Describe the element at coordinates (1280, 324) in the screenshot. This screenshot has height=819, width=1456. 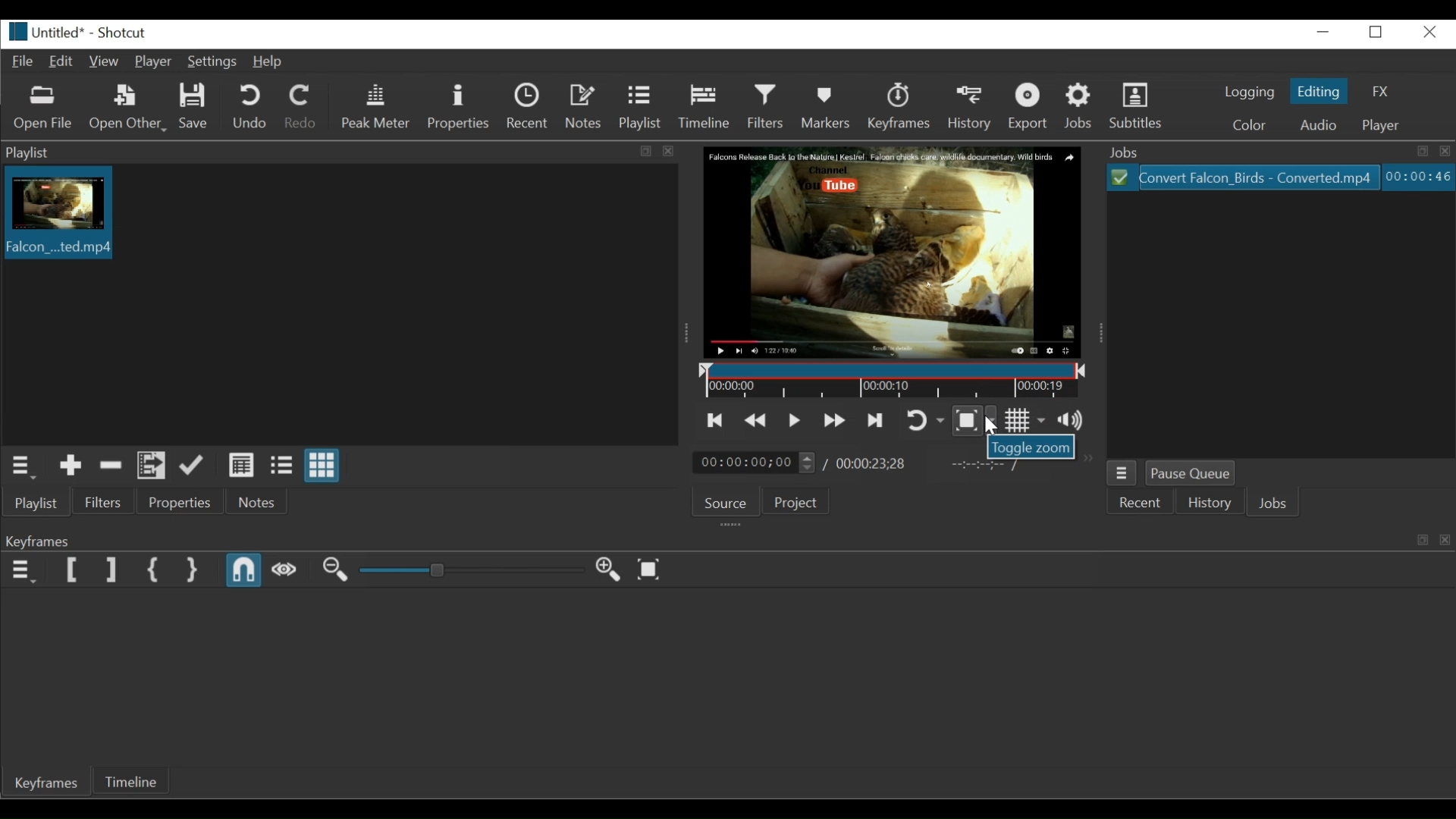
I see `File Viewer` at that location.